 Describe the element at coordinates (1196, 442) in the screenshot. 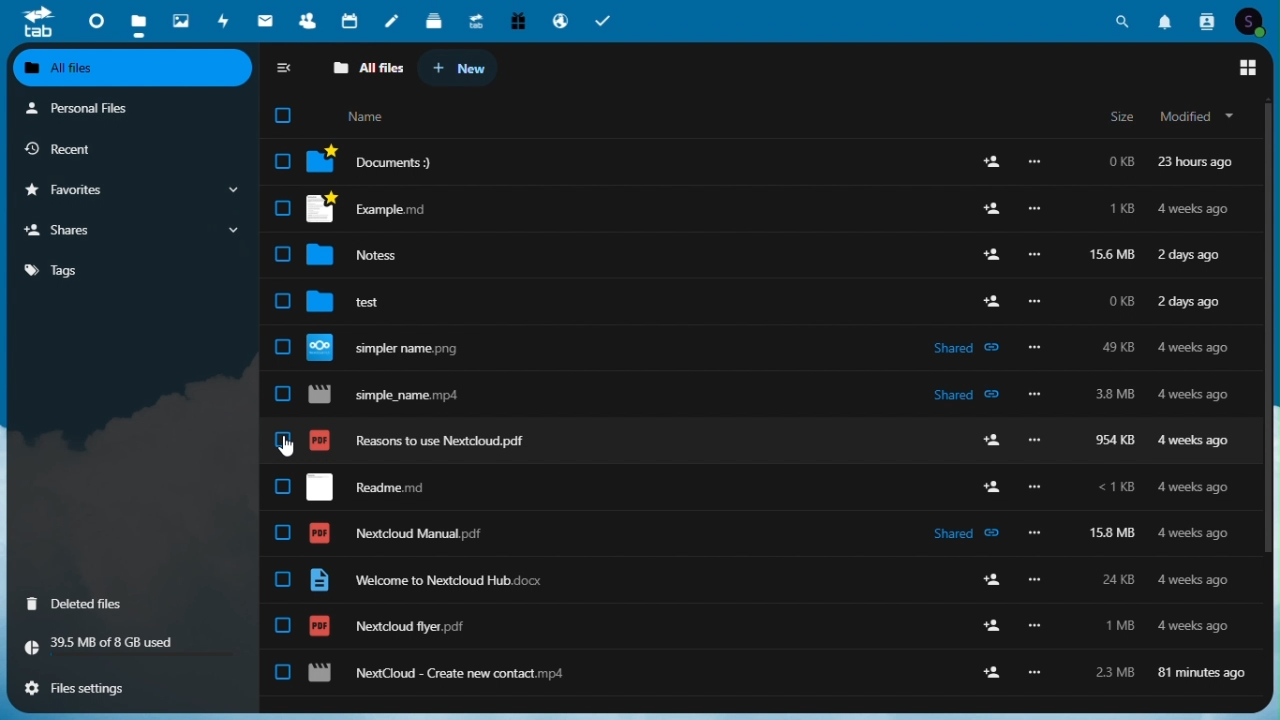

I see `4 weeks ago` at that location.